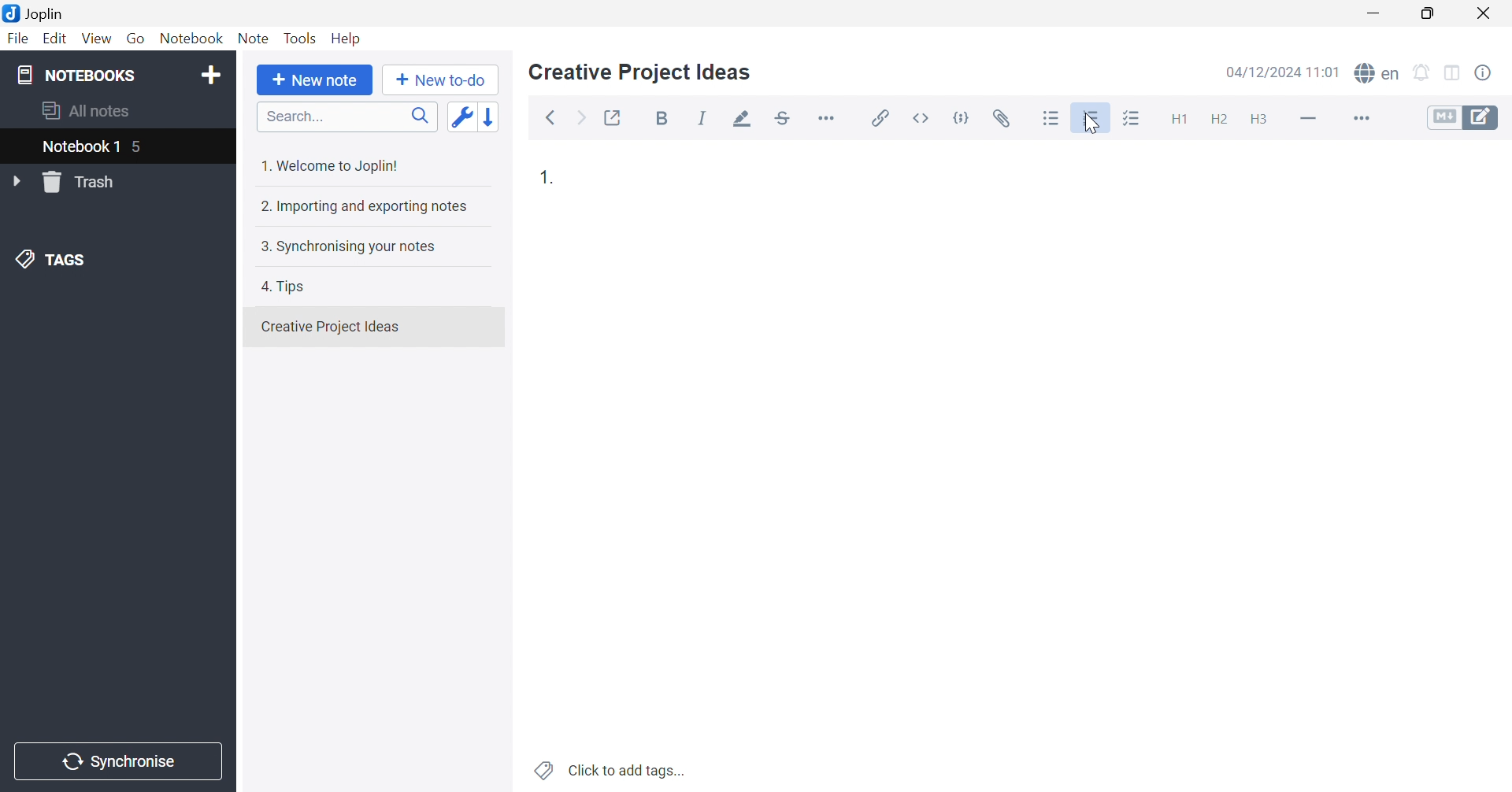 This screenshot has height=792, width=1512. I want to click on New to-do, so click(442, 80).